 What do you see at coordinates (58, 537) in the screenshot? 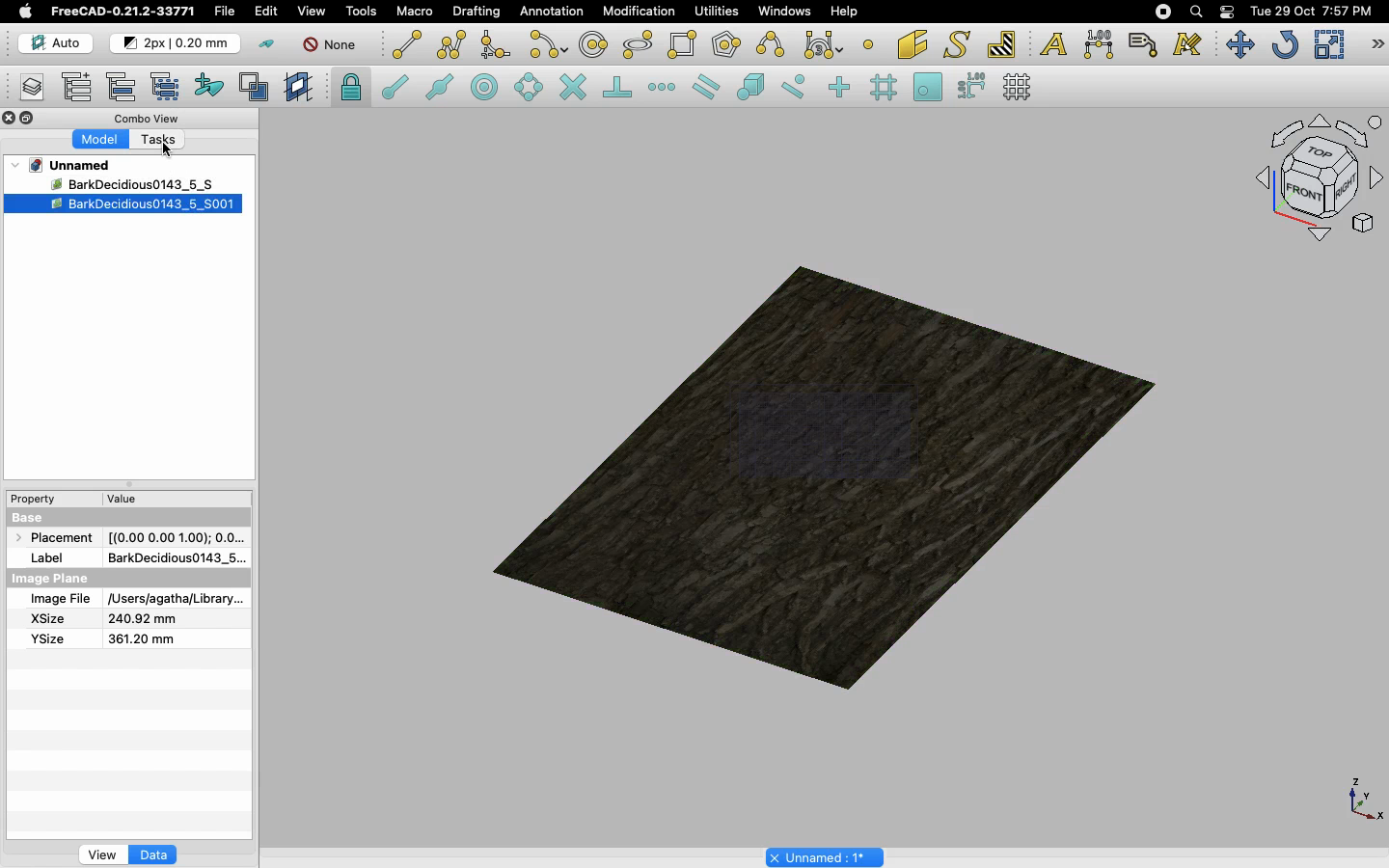
I see `Placement` at bounding box center [58, 537].